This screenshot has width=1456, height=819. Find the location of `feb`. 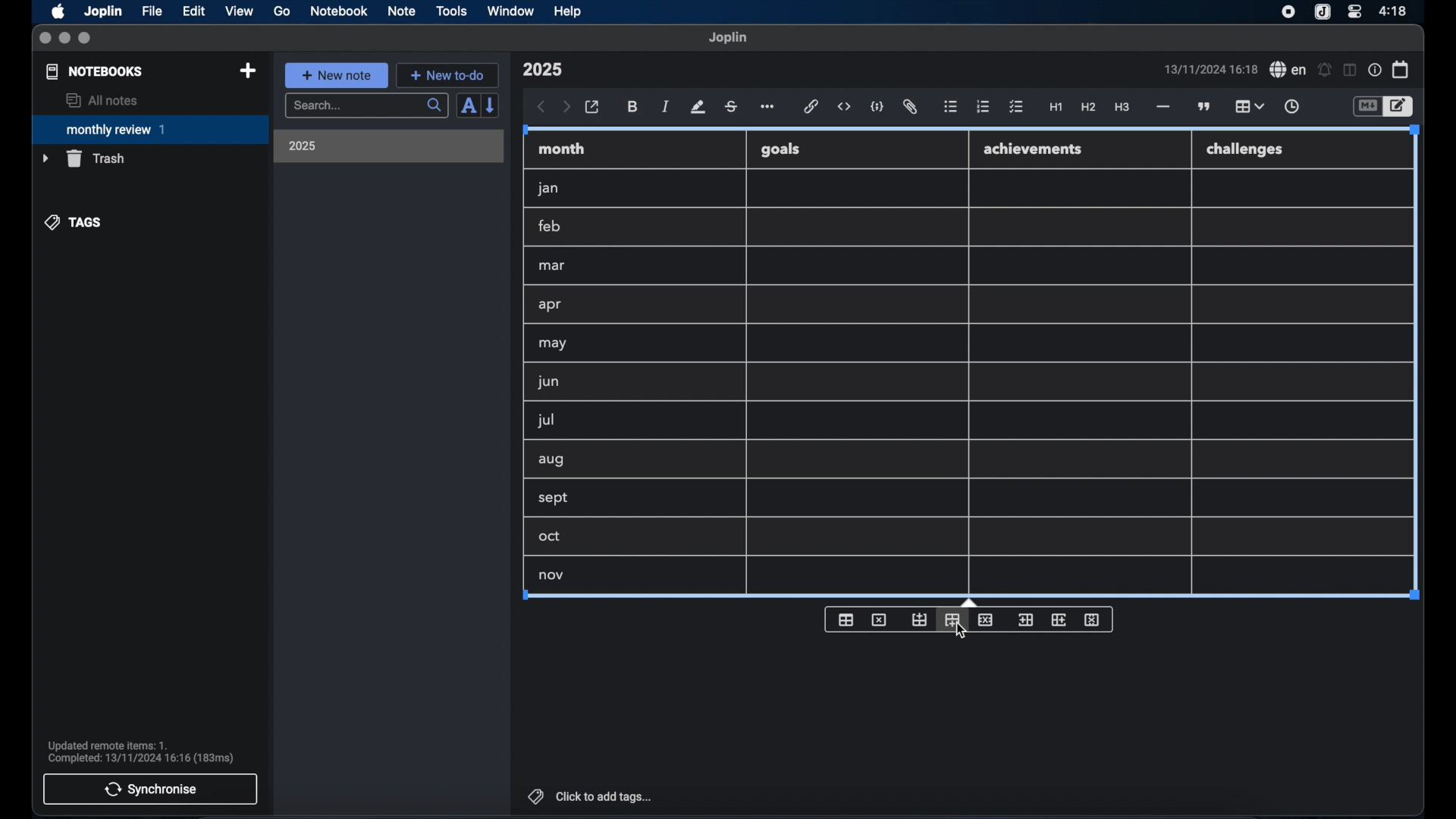

feb is located at coordinates (551, 226).